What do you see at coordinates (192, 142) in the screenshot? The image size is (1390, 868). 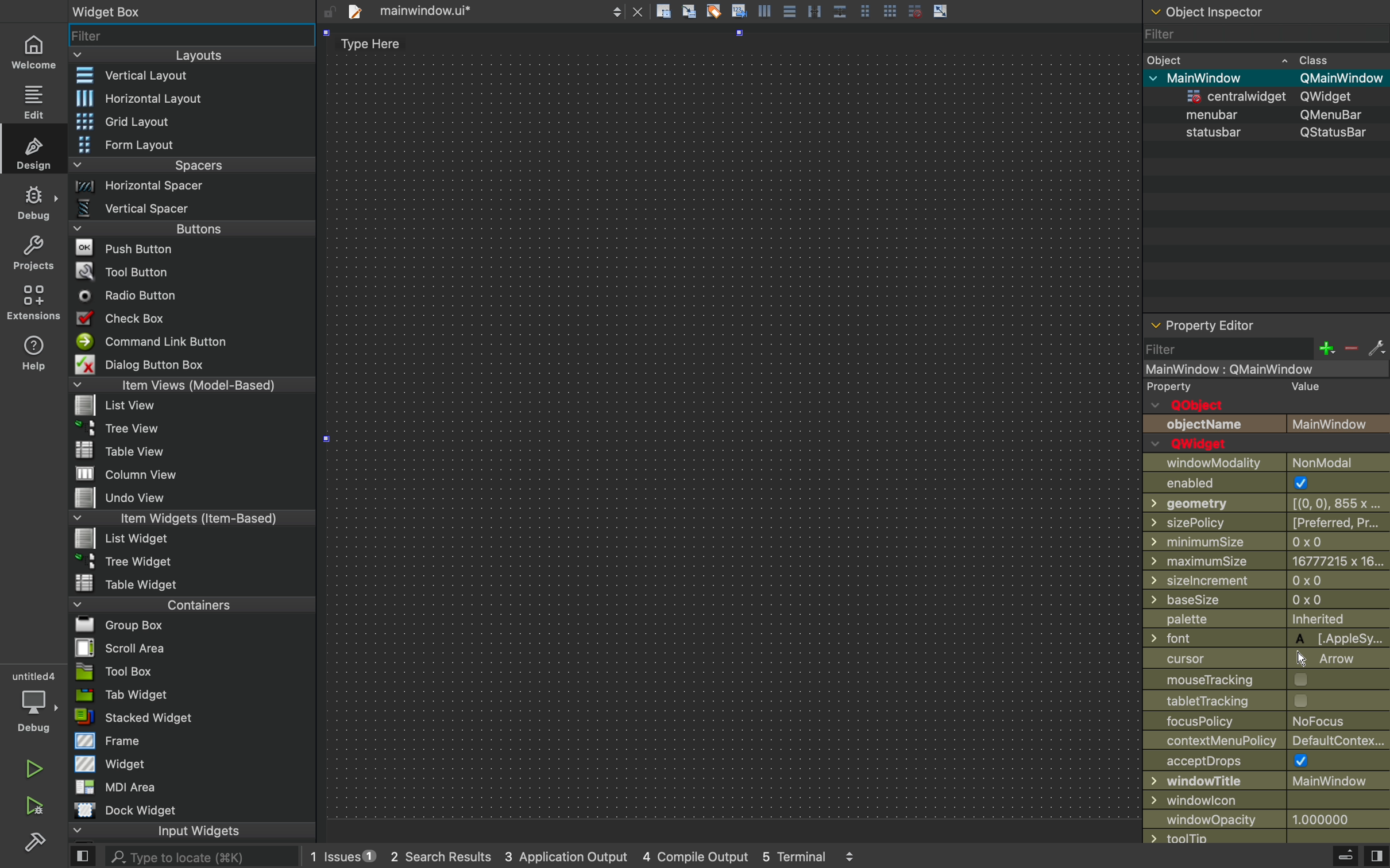 I see `form layout` at bounding box center [192, 142].